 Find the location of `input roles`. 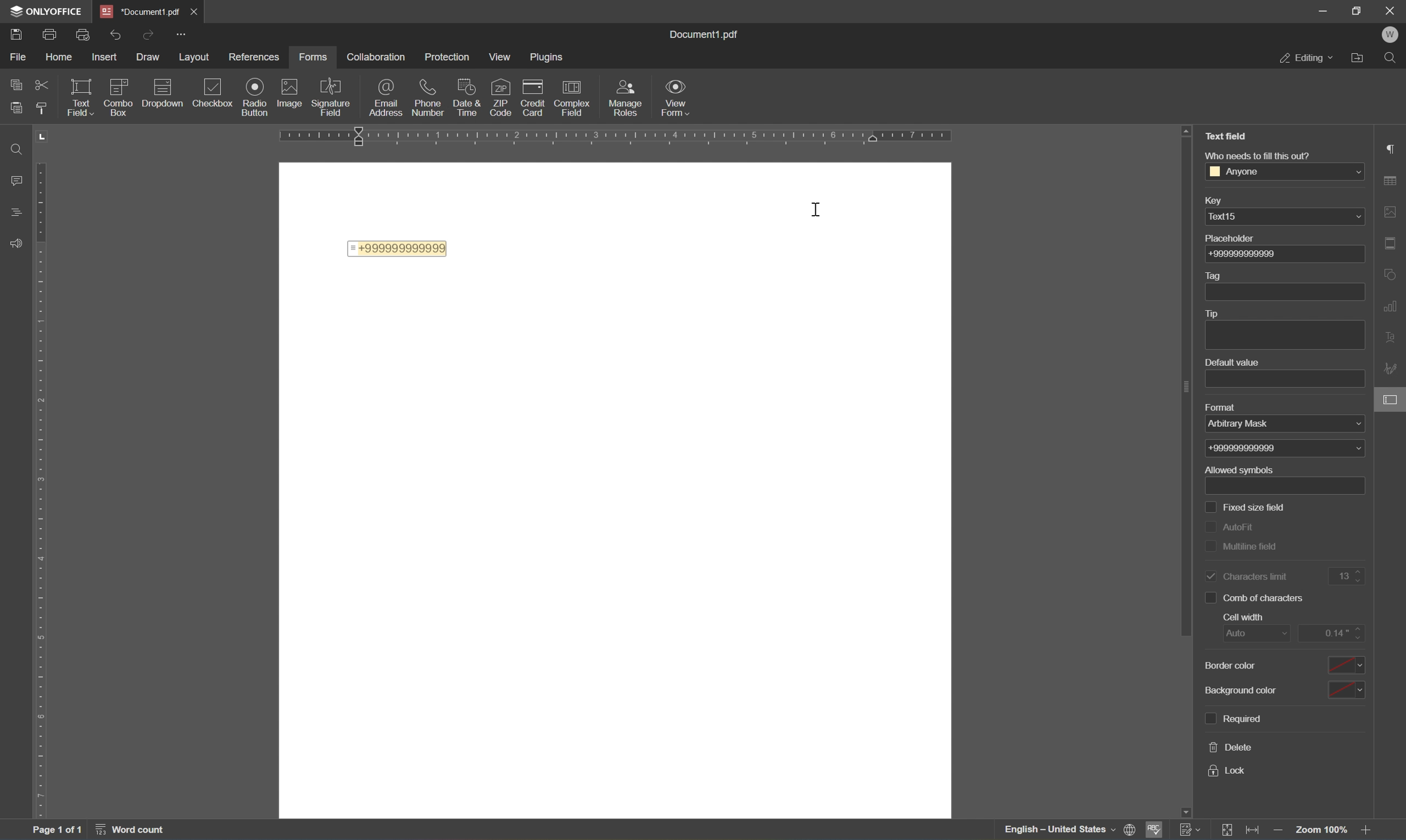

input roles is located at coordinates (628, 98).